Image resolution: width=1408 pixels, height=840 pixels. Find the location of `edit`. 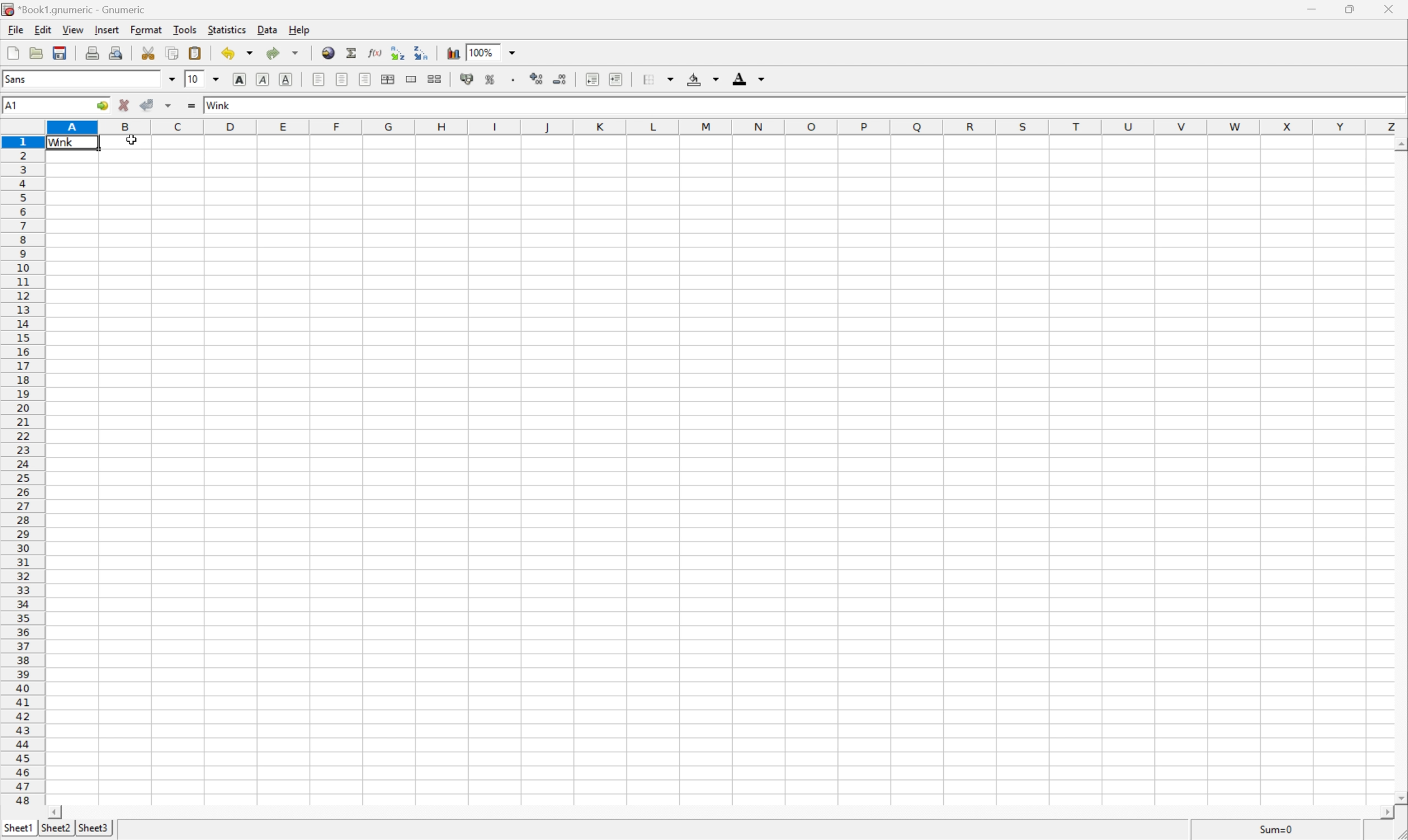

edit is located at coordinates (41, 31).